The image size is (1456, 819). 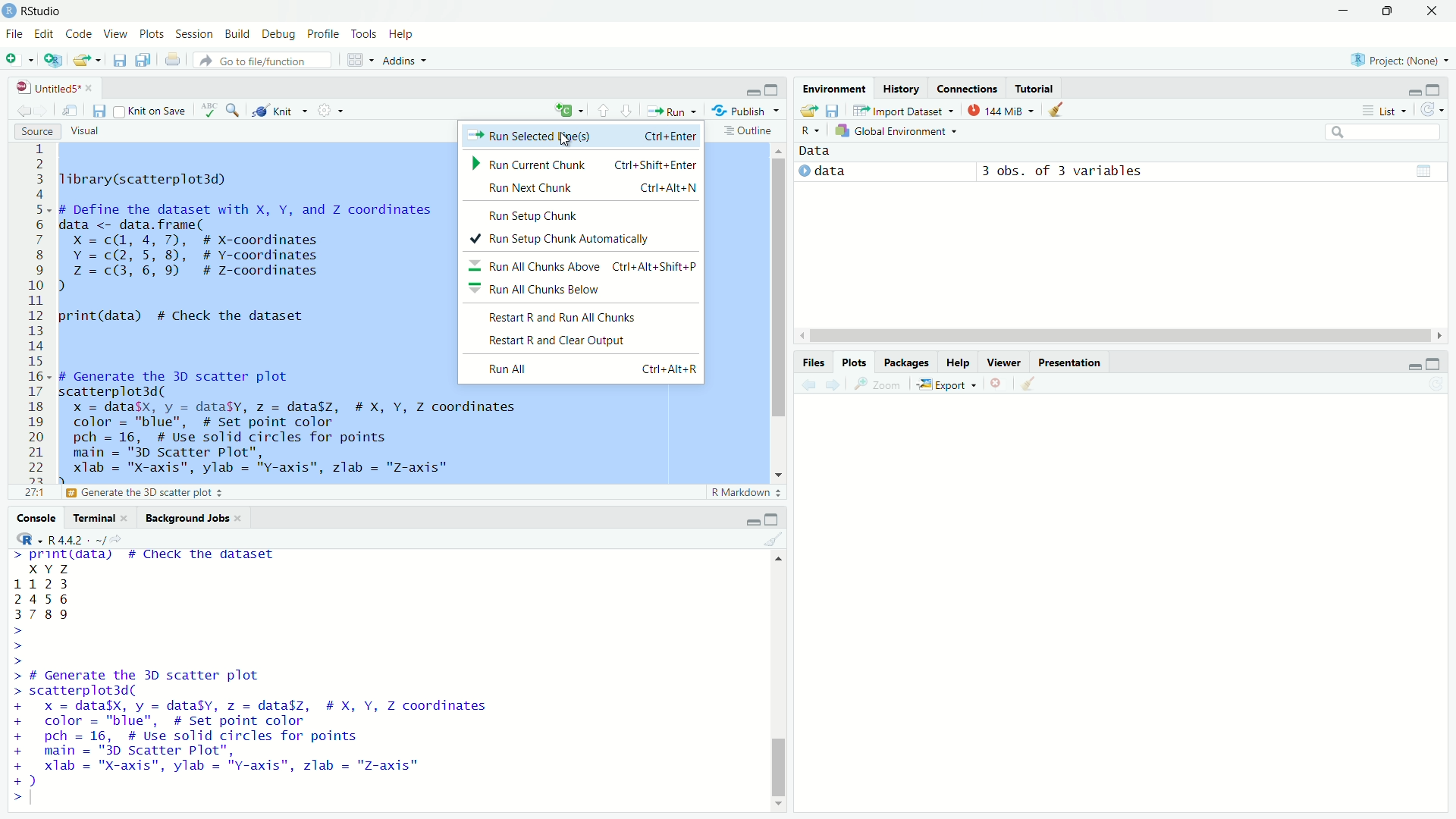 What do you see at coordinates (1057, 111) in the screenshot?
I see `clear objects from the workspace` at bounding box center [1057, 111].